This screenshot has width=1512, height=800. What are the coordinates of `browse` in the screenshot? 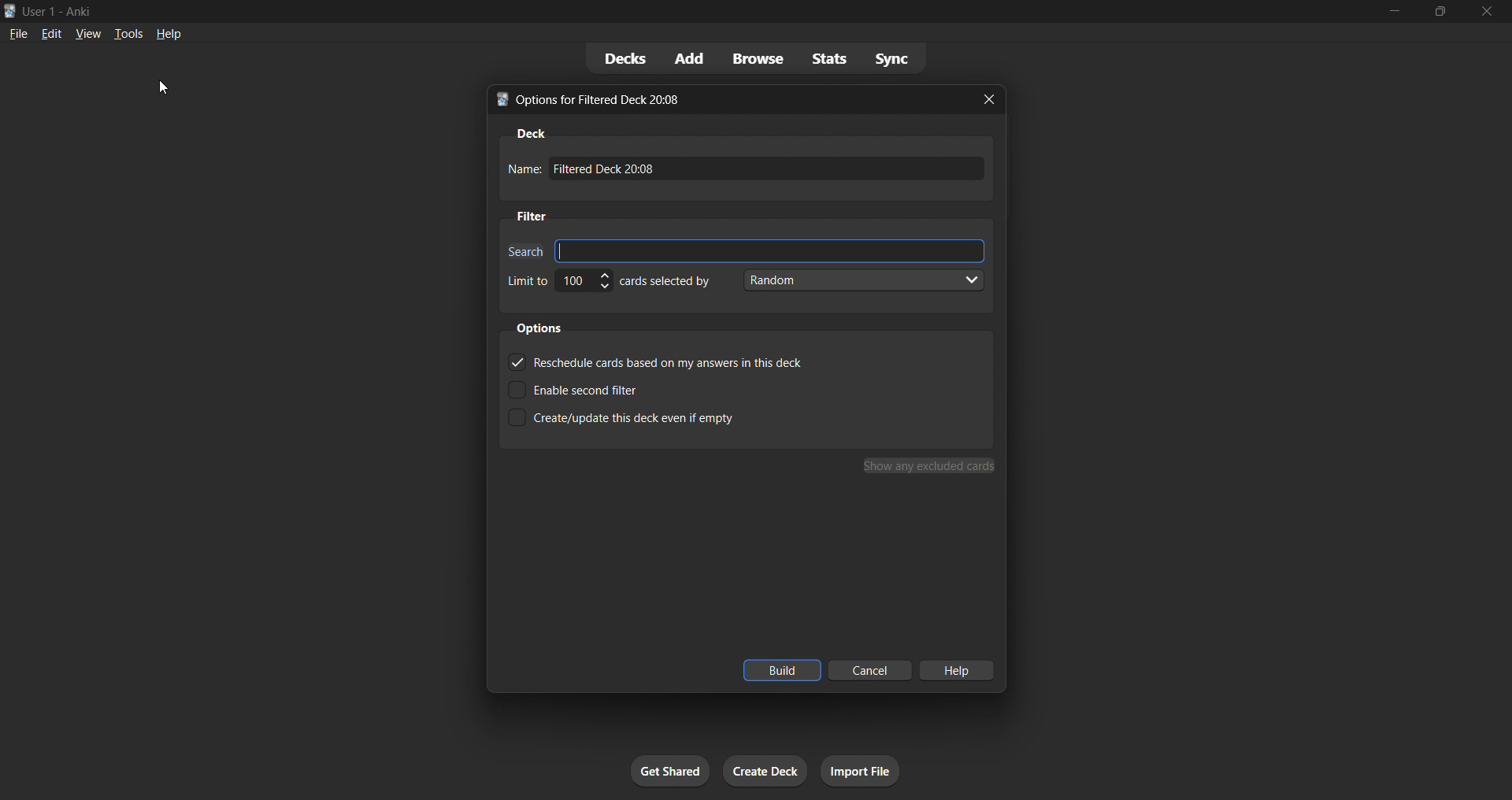 It's located at (755, 58).